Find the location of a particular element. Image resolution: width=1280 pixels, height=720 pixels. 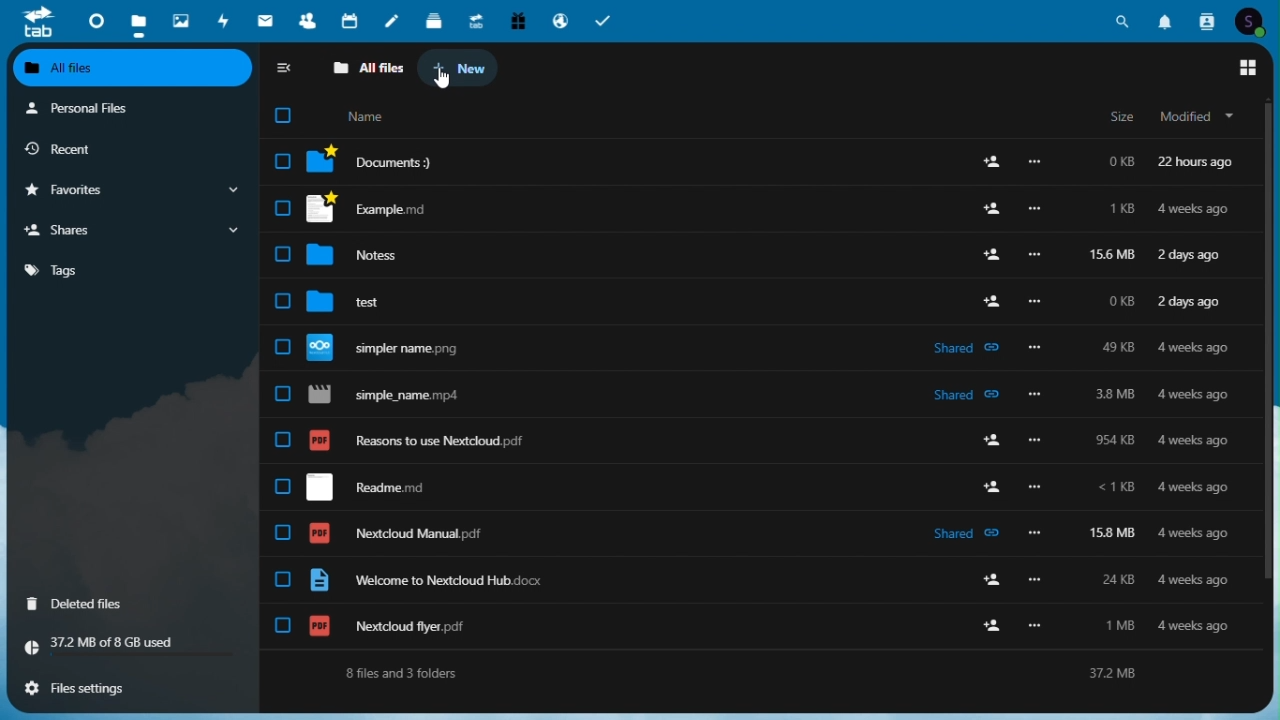

Collapse side bar is located at coordinates (284, 68).